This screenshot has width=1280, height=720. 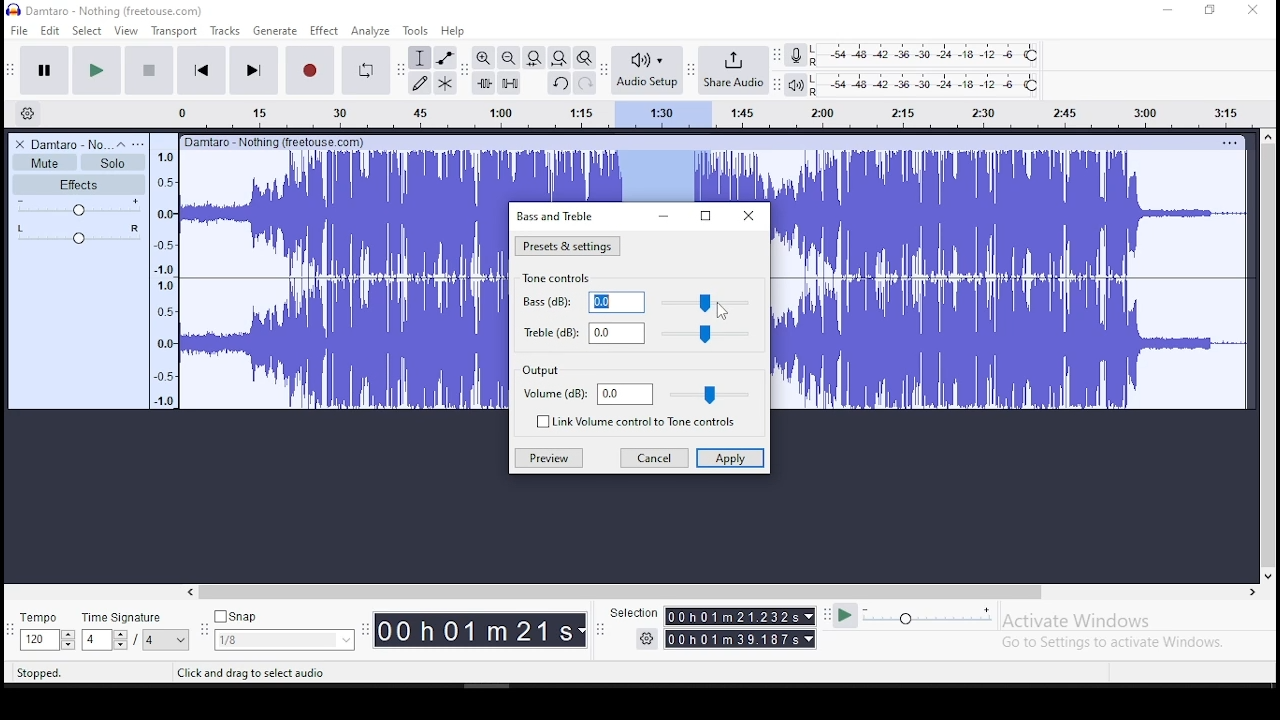 I want to click on volume(dB), so click(x=555, y=395).